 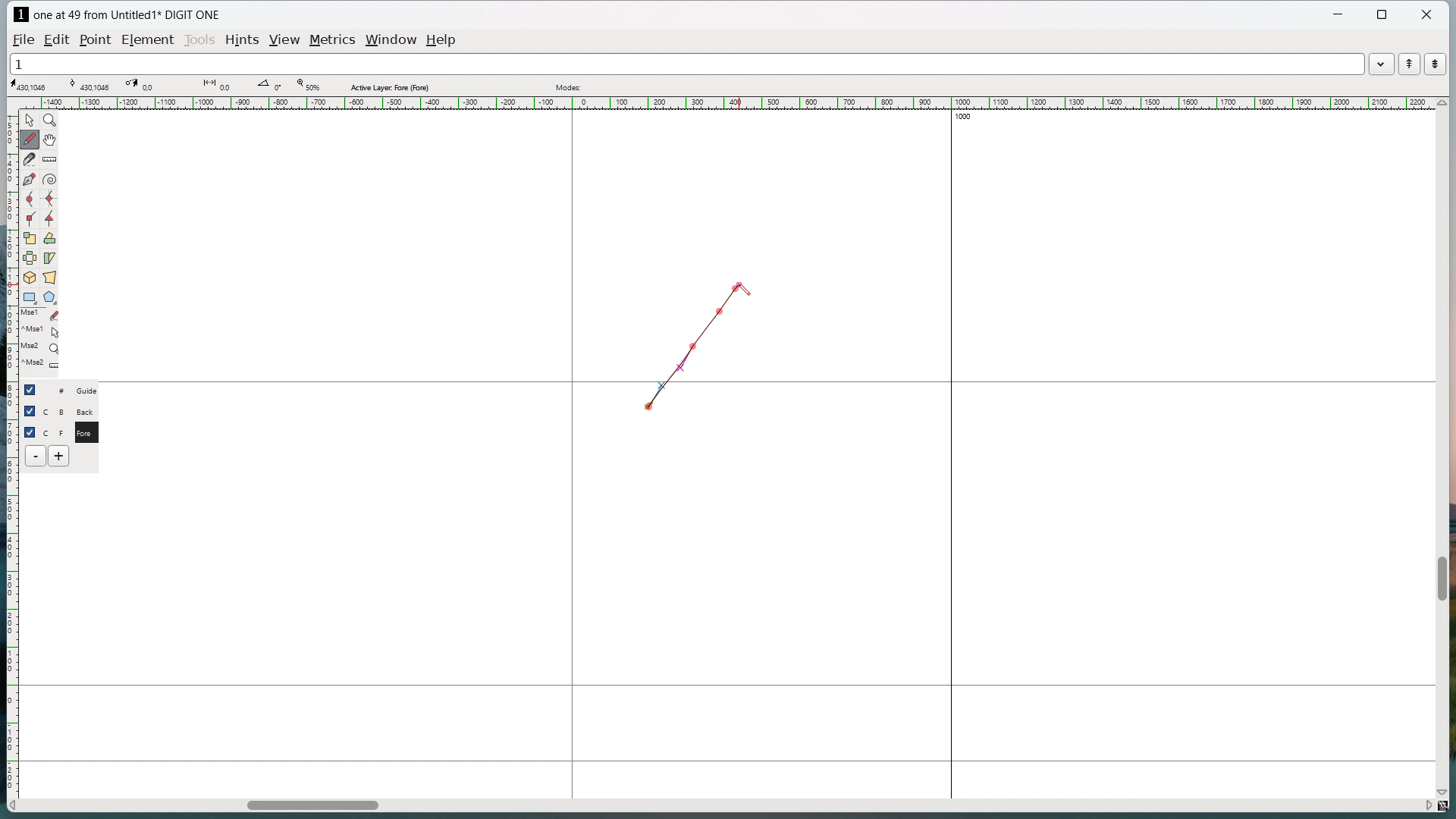 What do you see at coordinates (141, 84) in the screenshot?
I see `coordinate of destination` at bounding box center [141, 84].